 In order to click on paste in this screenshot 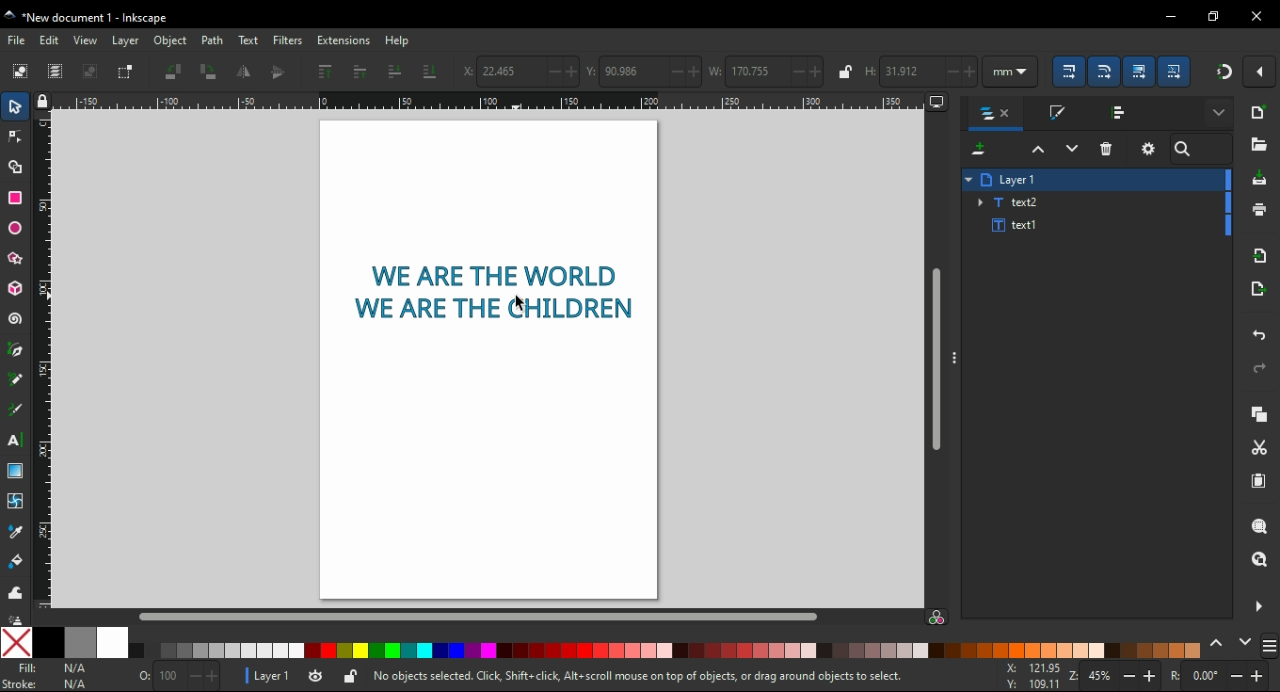, I will do `click(1257, 483)`.